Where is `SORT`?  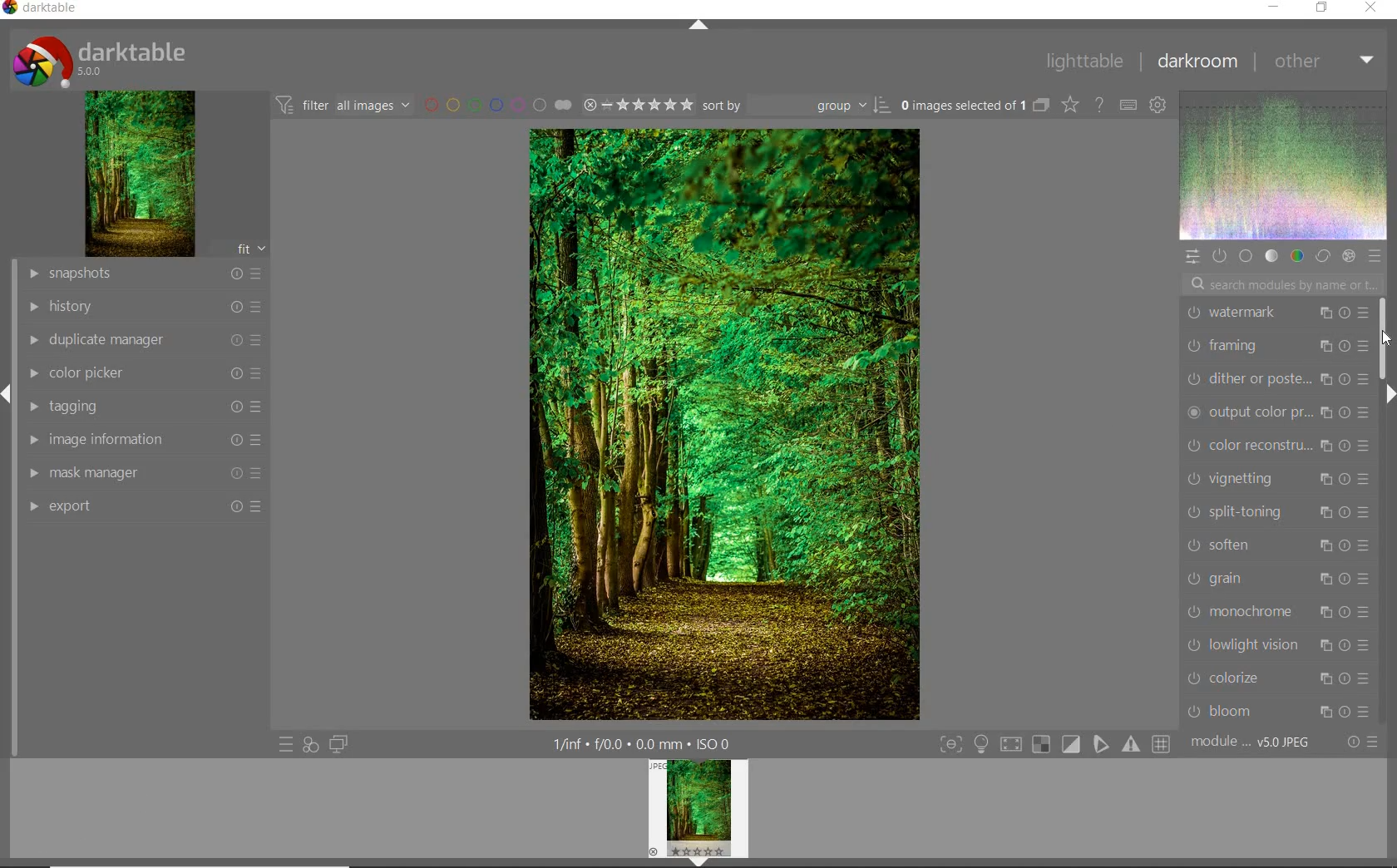
SORT is located at coordinates (795, 105).